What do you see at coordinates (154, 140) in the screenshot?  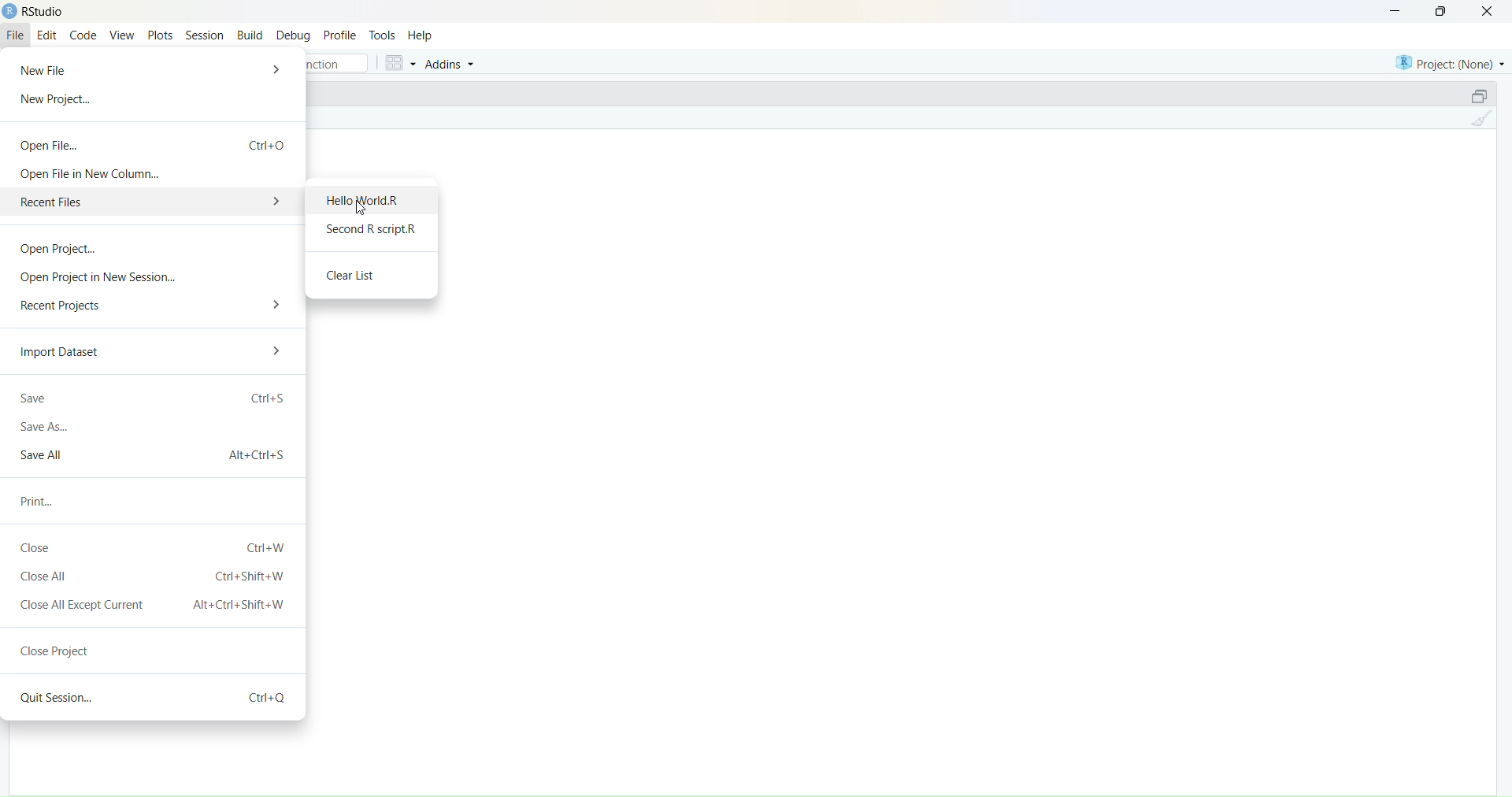 I see `Open File... Ctrl + o` at bounding box center [154, 140].